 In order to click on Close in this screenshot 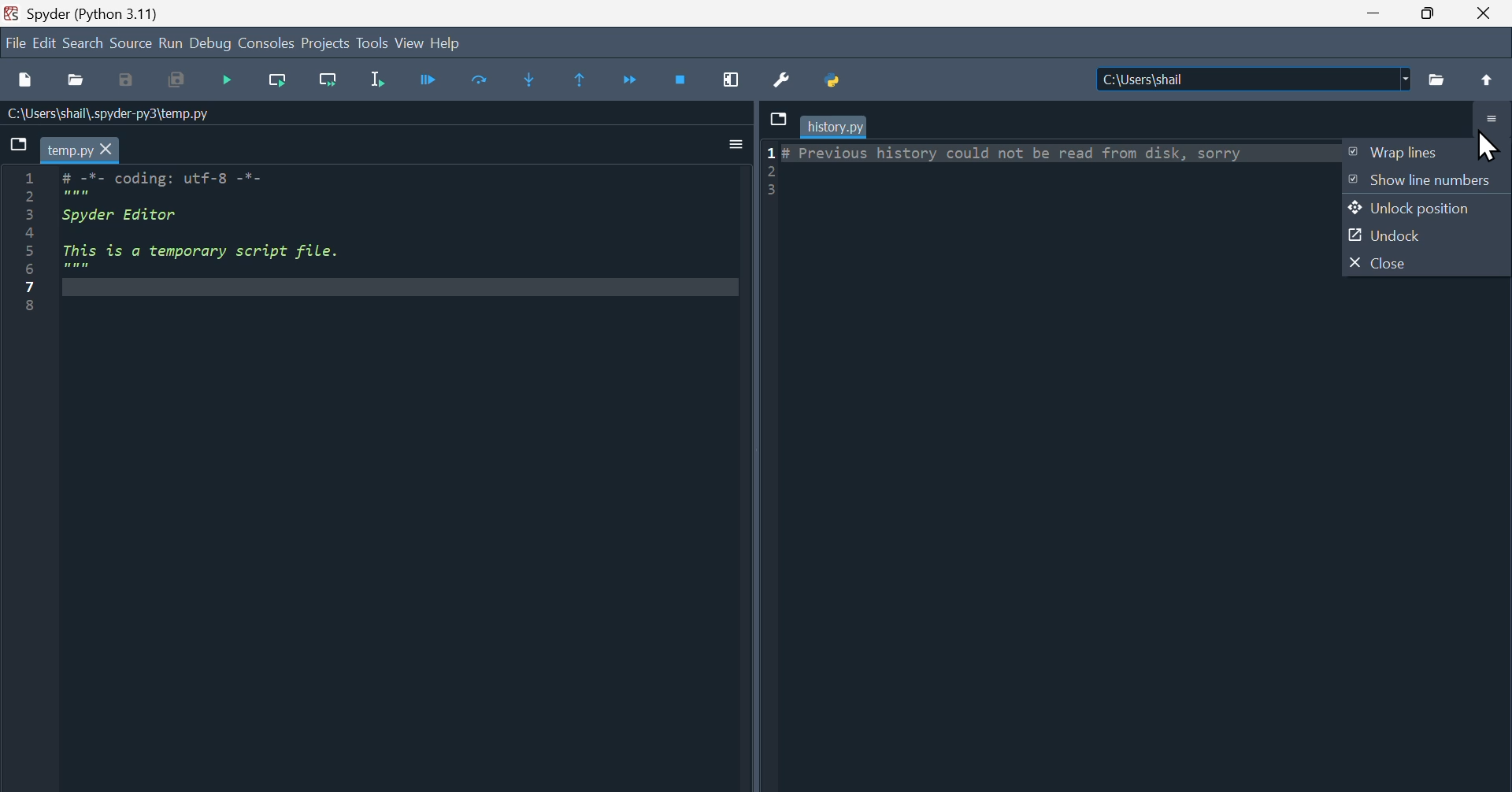, I will do `click(1413, 263)`.